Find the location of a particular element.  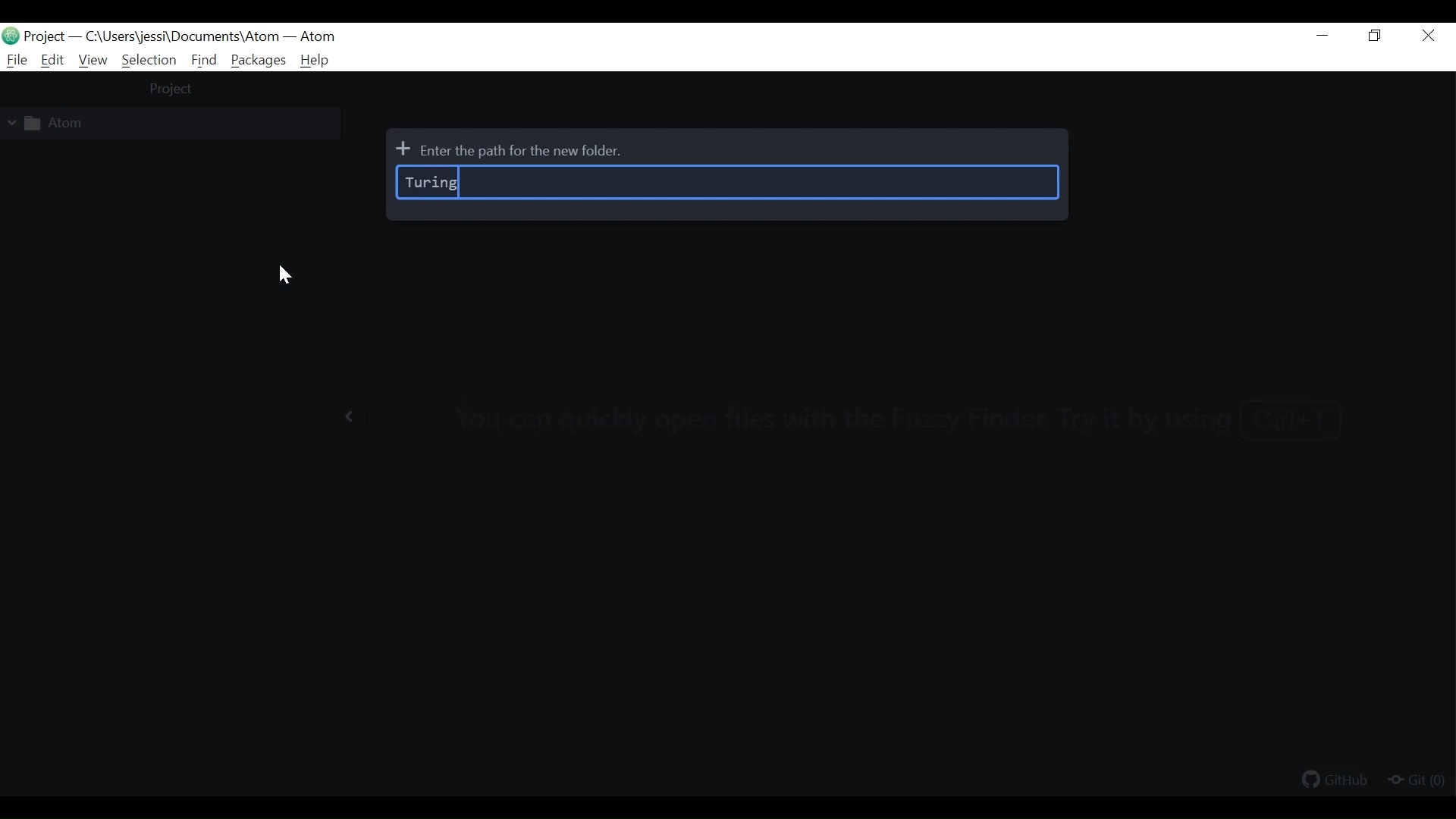

Restore is located at coordinates (1377, 36).